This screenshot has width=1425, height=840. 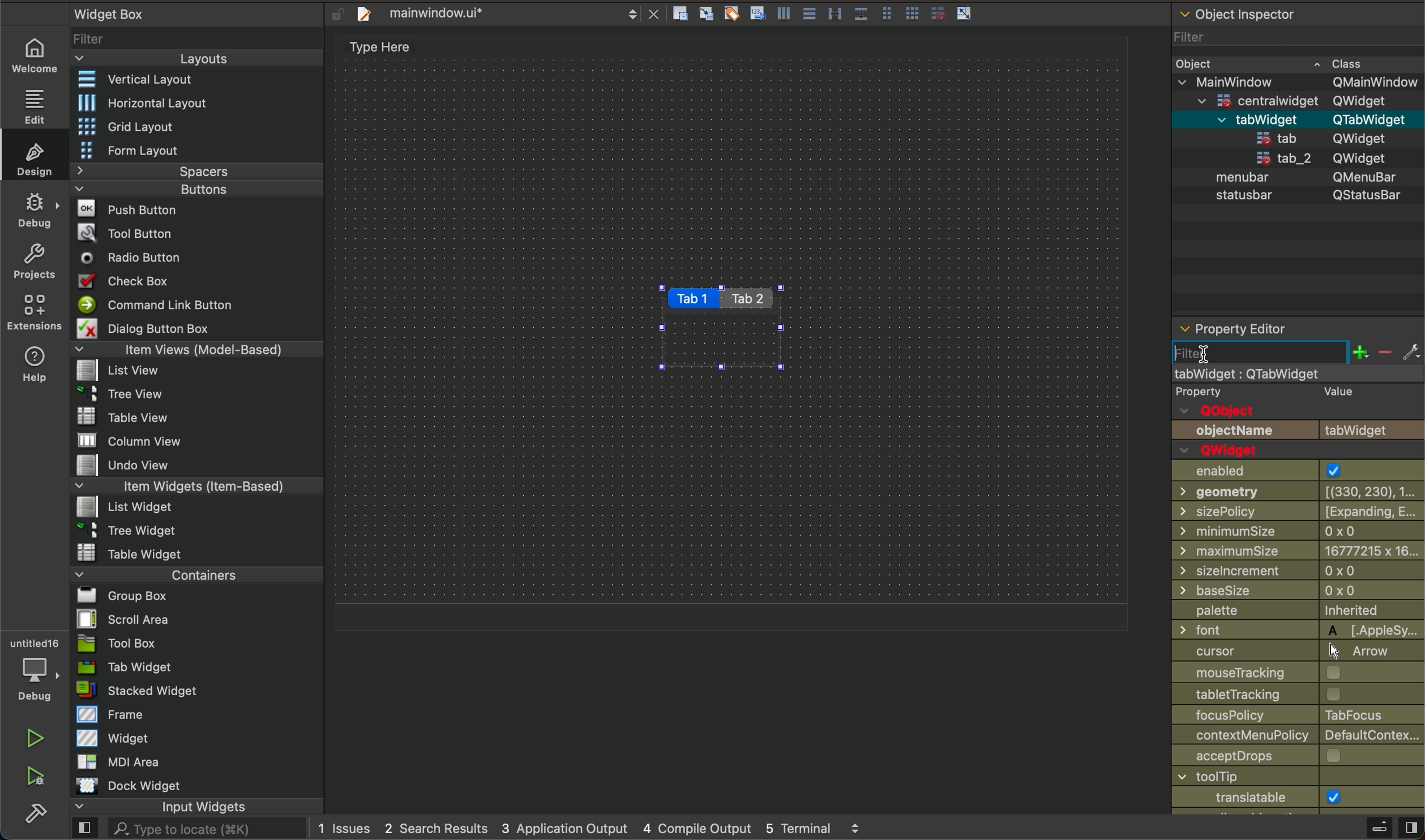 I want to click on Layouts, so click(x=198, y=58).